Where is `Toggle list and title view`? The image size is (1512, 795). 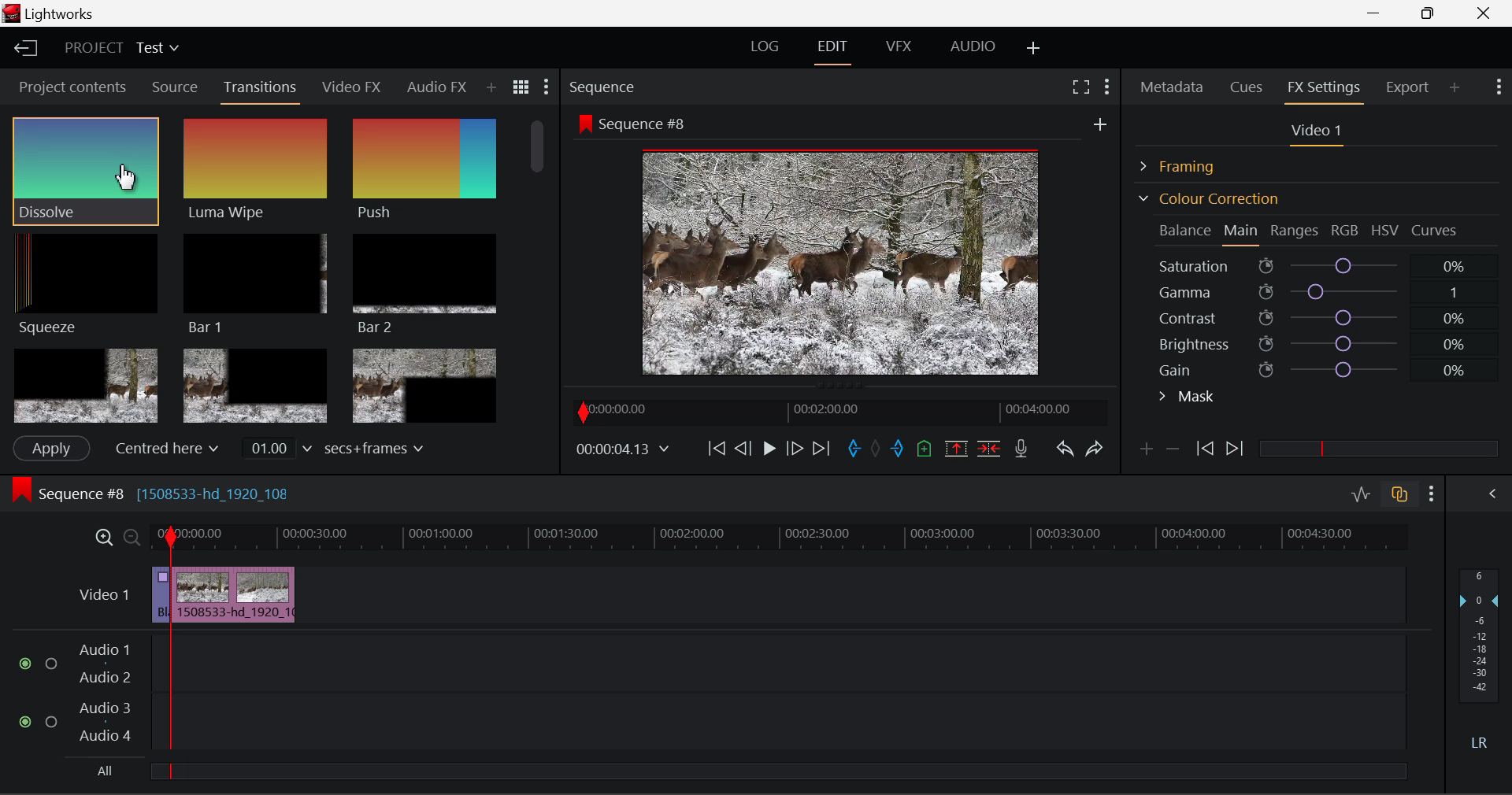 Toggle list and title view is located at coordinates (521, 87).